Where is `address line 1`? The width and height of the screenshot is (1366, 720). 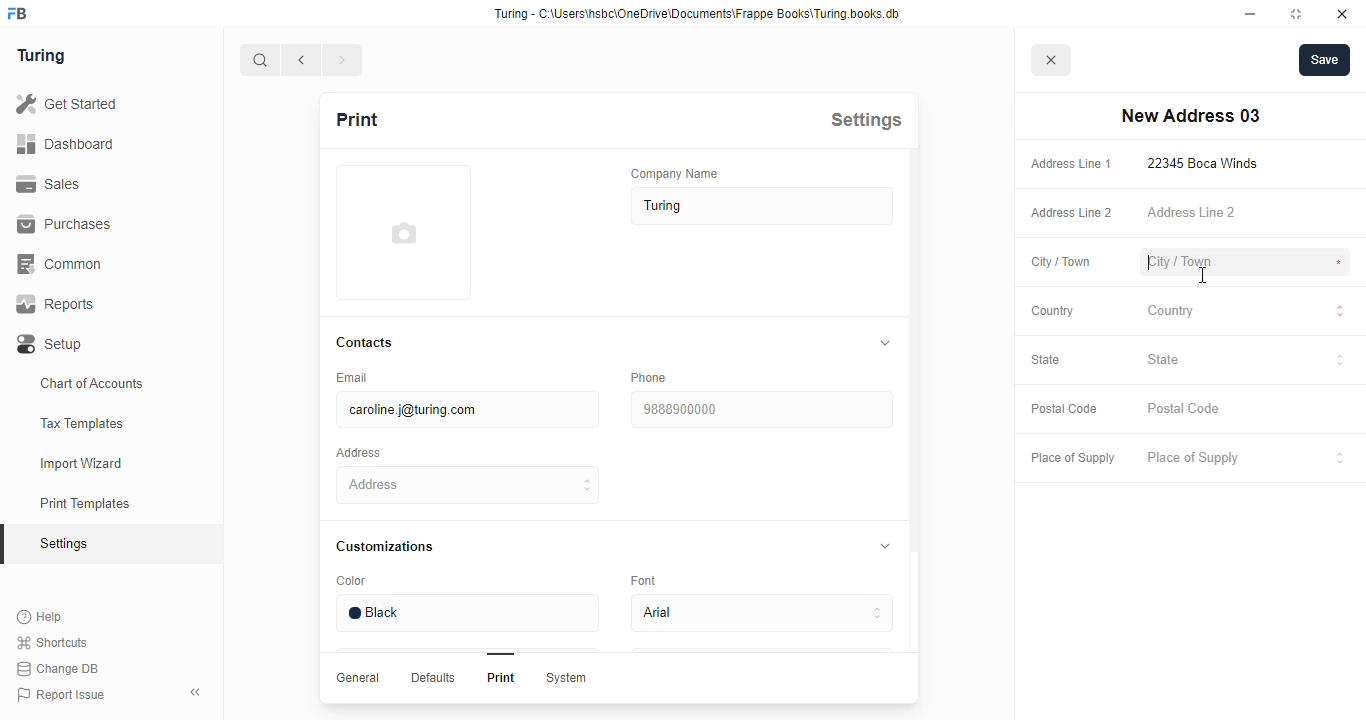 address line 1 is located at coordinates (1071, 164).